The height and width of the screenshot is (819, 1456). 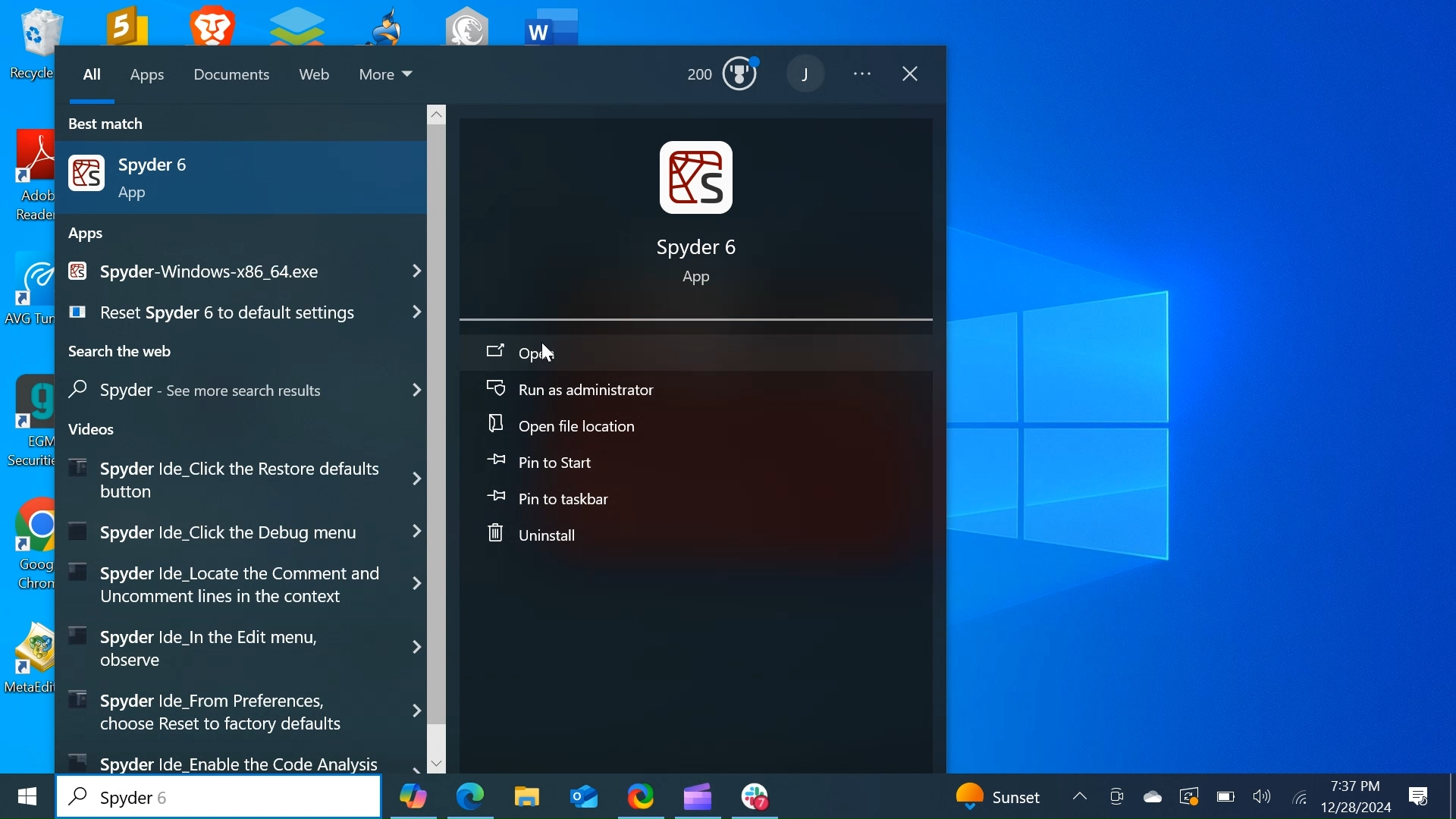 I want to click on Cursor, so click(x=547, y=354).